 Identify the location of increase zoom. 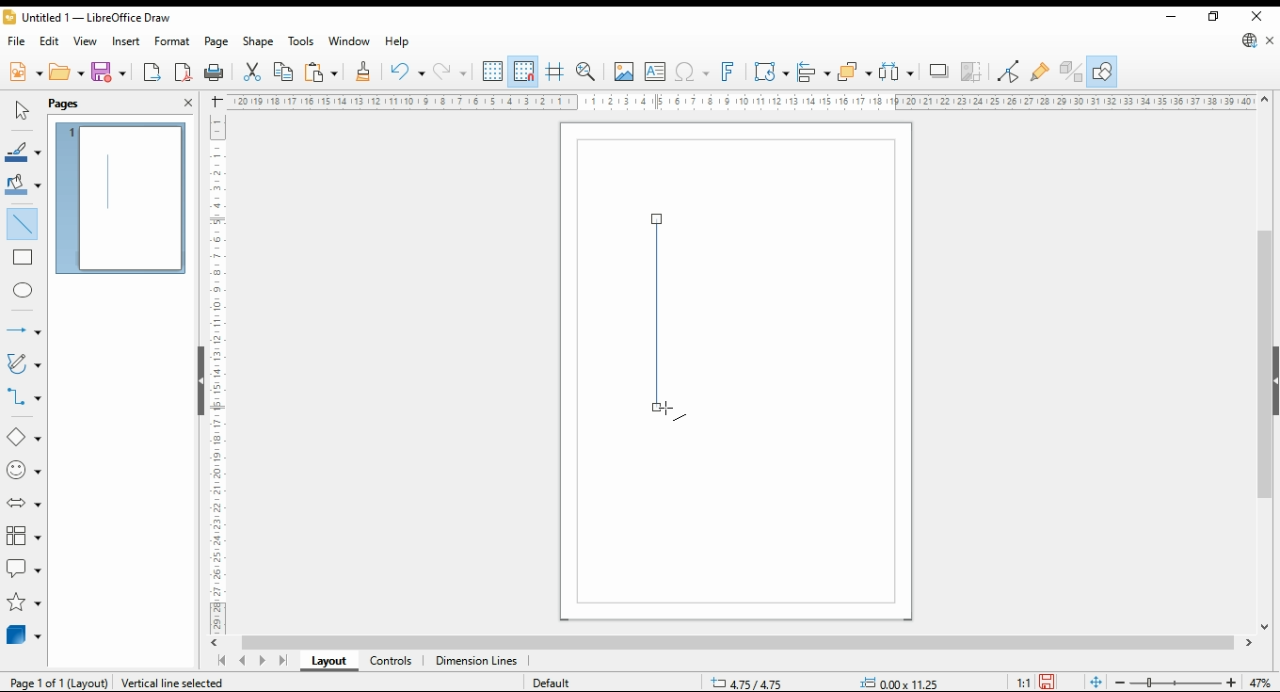
(1235, 683).